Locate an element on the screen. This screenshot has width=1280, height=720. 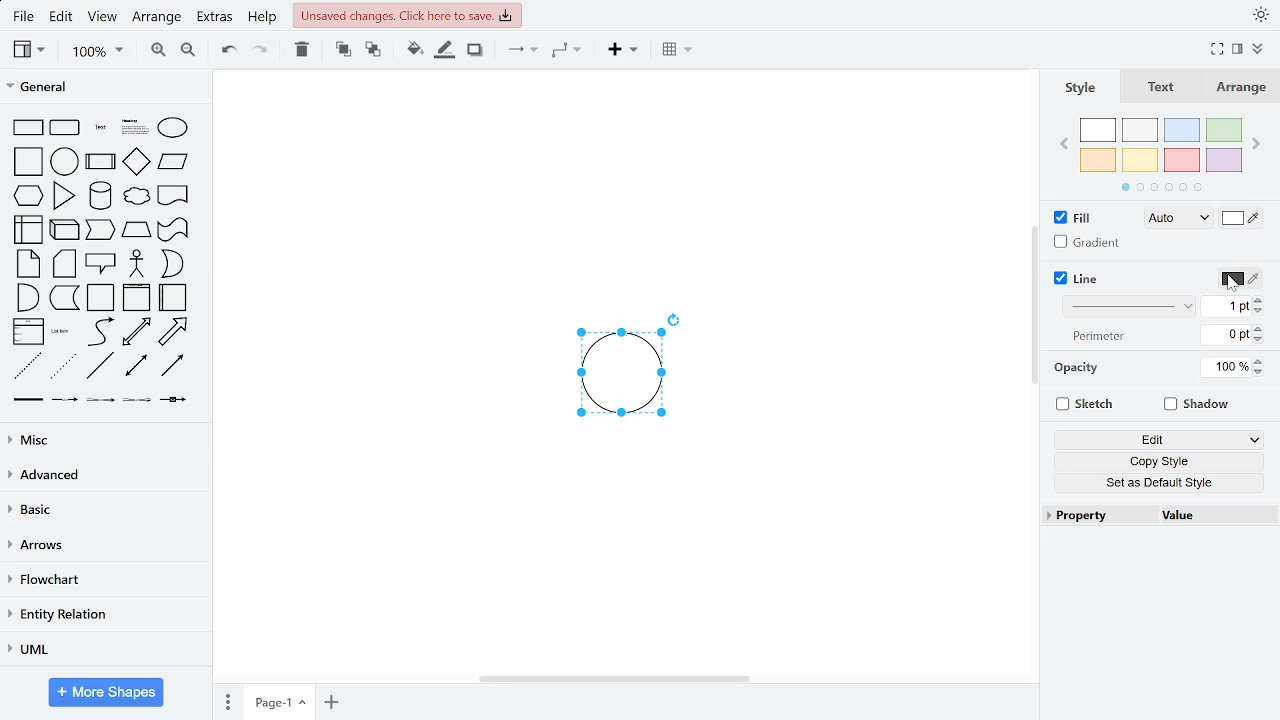
edit is located at coordinates (1161, 440).